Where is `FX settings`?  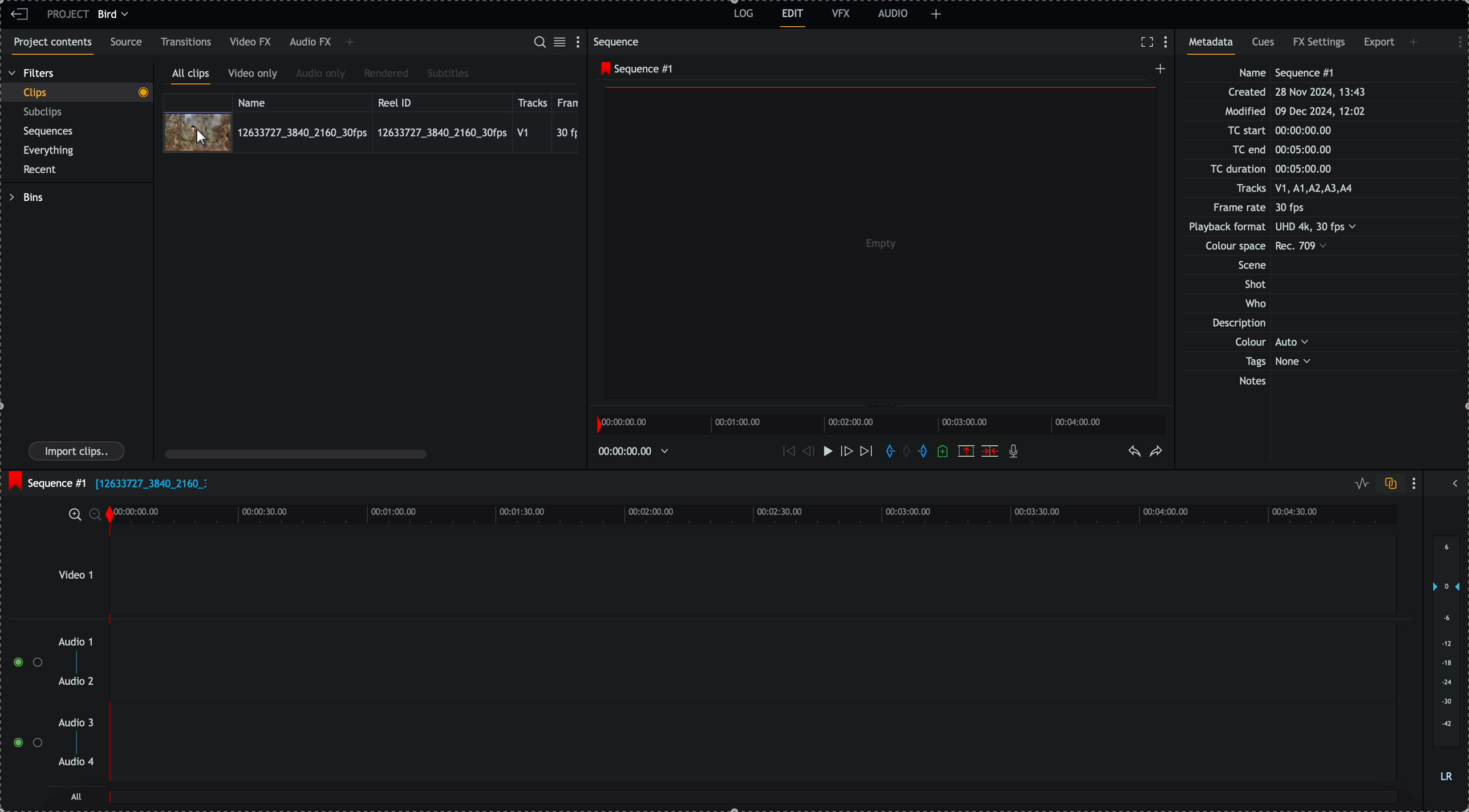 FX settings is located at coordinates (1320, 44).